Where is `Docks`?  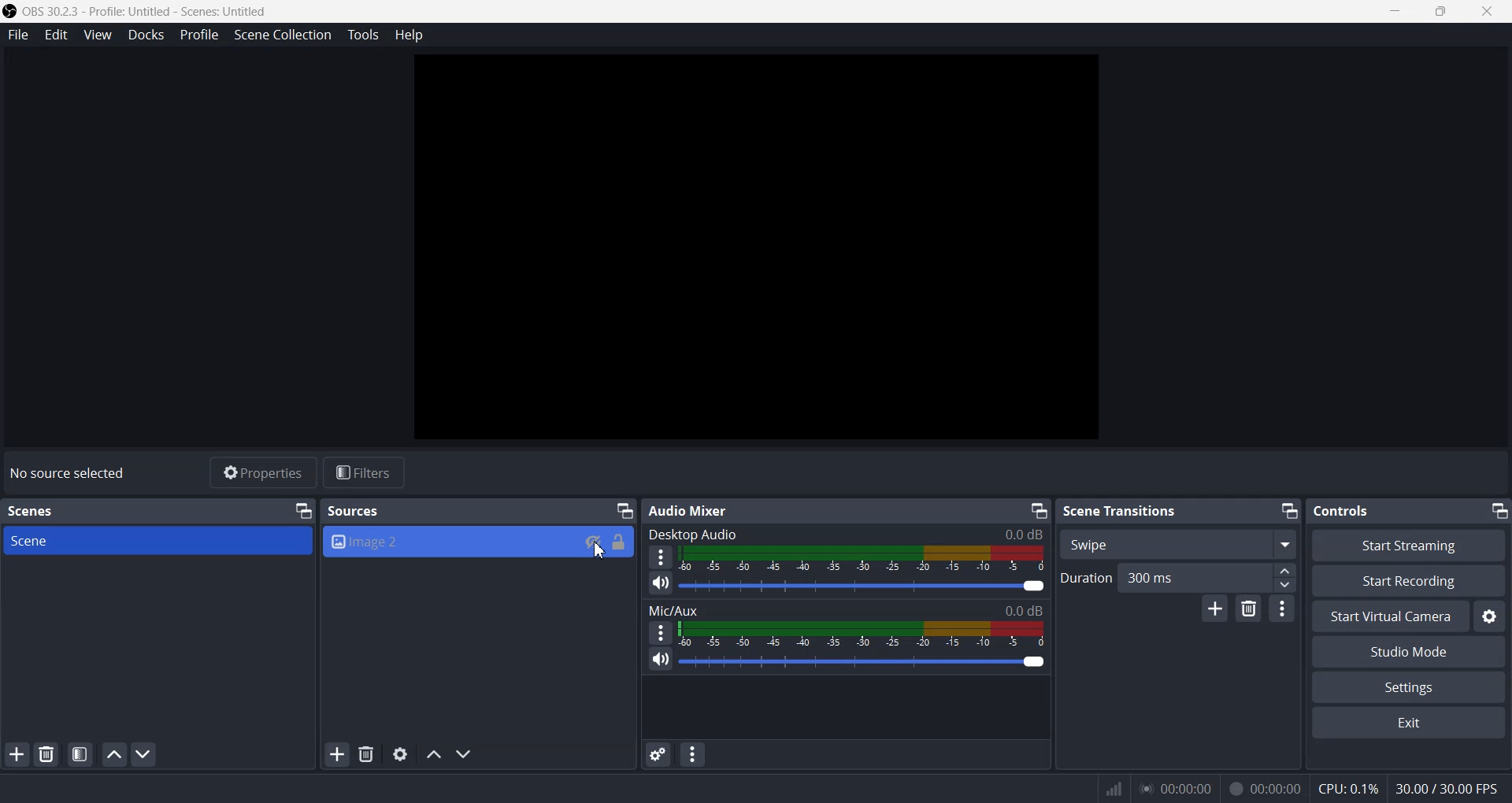
Docks is located at coordinates (146, 34).